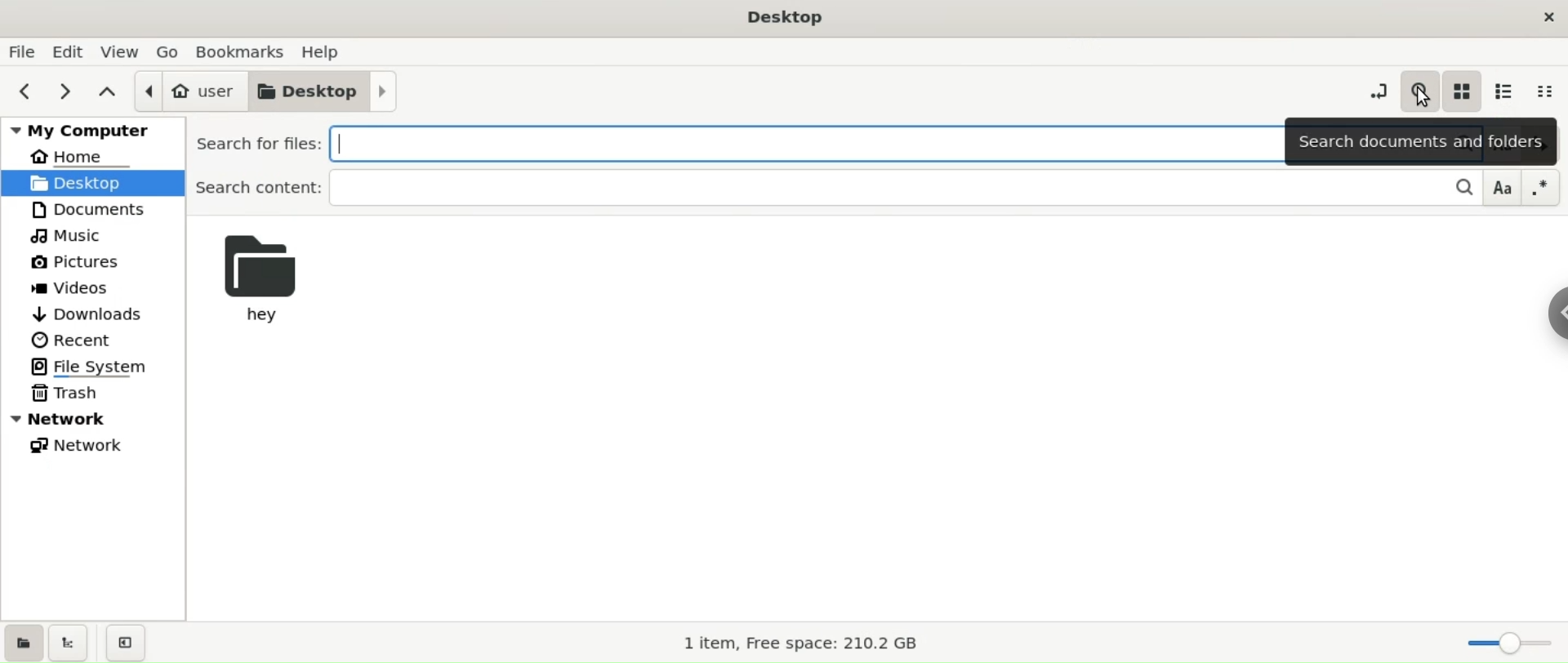 The width and height of the screenshot is (1568, 663). Describe the element at coordinates (23, 642) in the screenshot. I see `show places` at that location.